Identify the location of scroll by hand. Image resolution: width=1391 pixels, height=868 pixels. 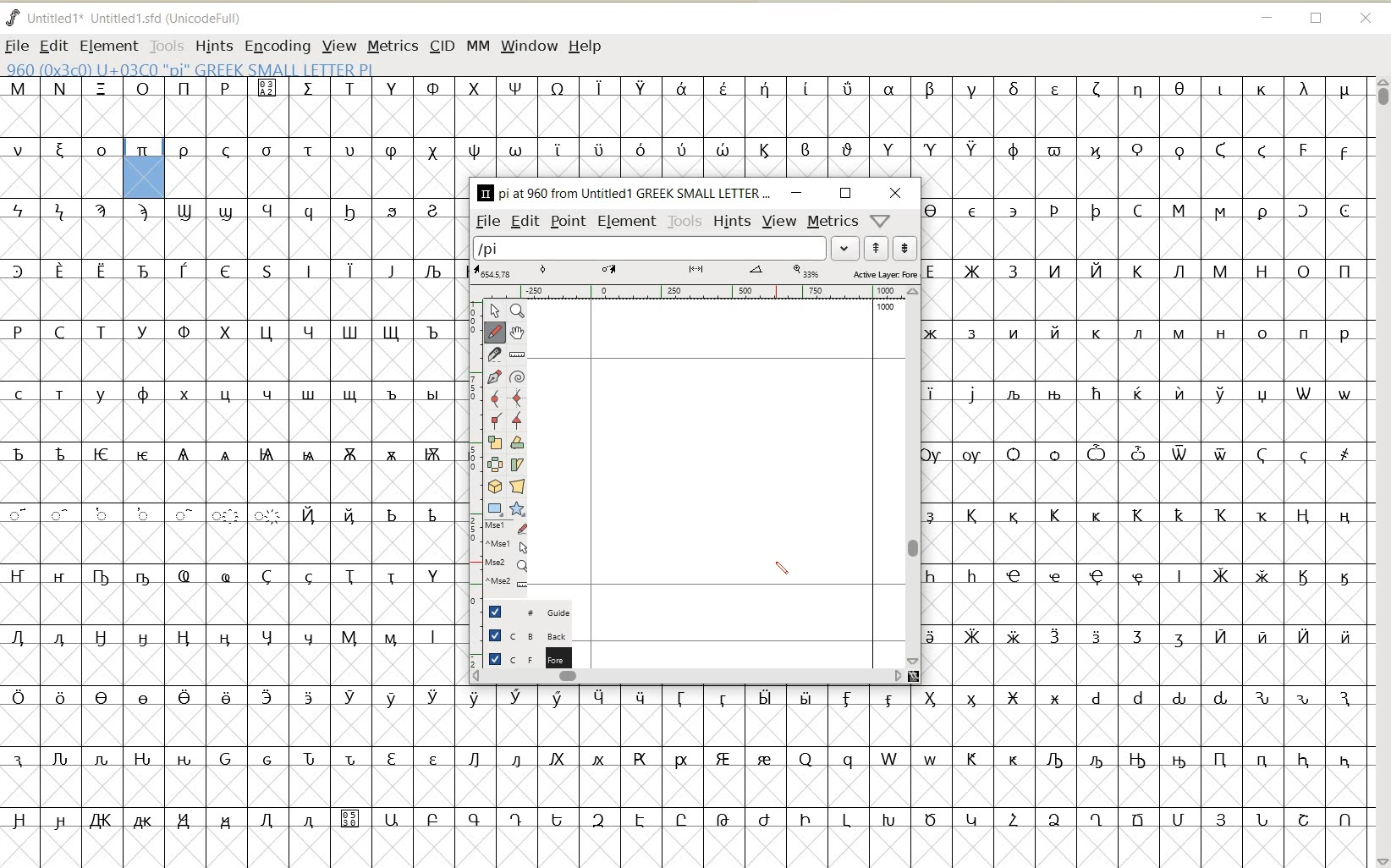
(517, 333).